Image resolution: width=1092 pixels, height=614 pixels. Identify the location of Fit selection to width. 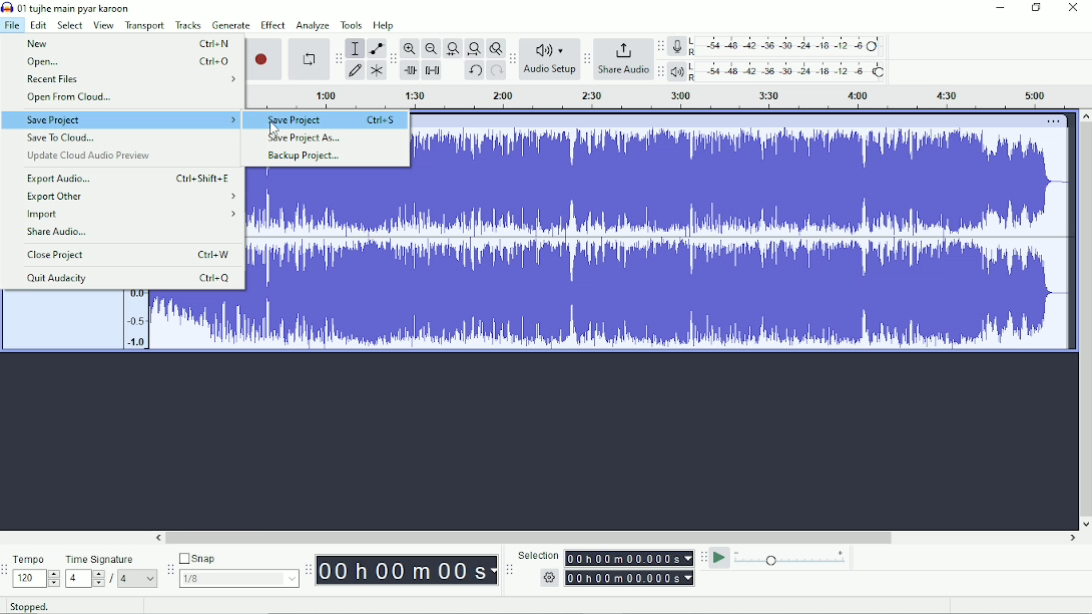
(453, 47).